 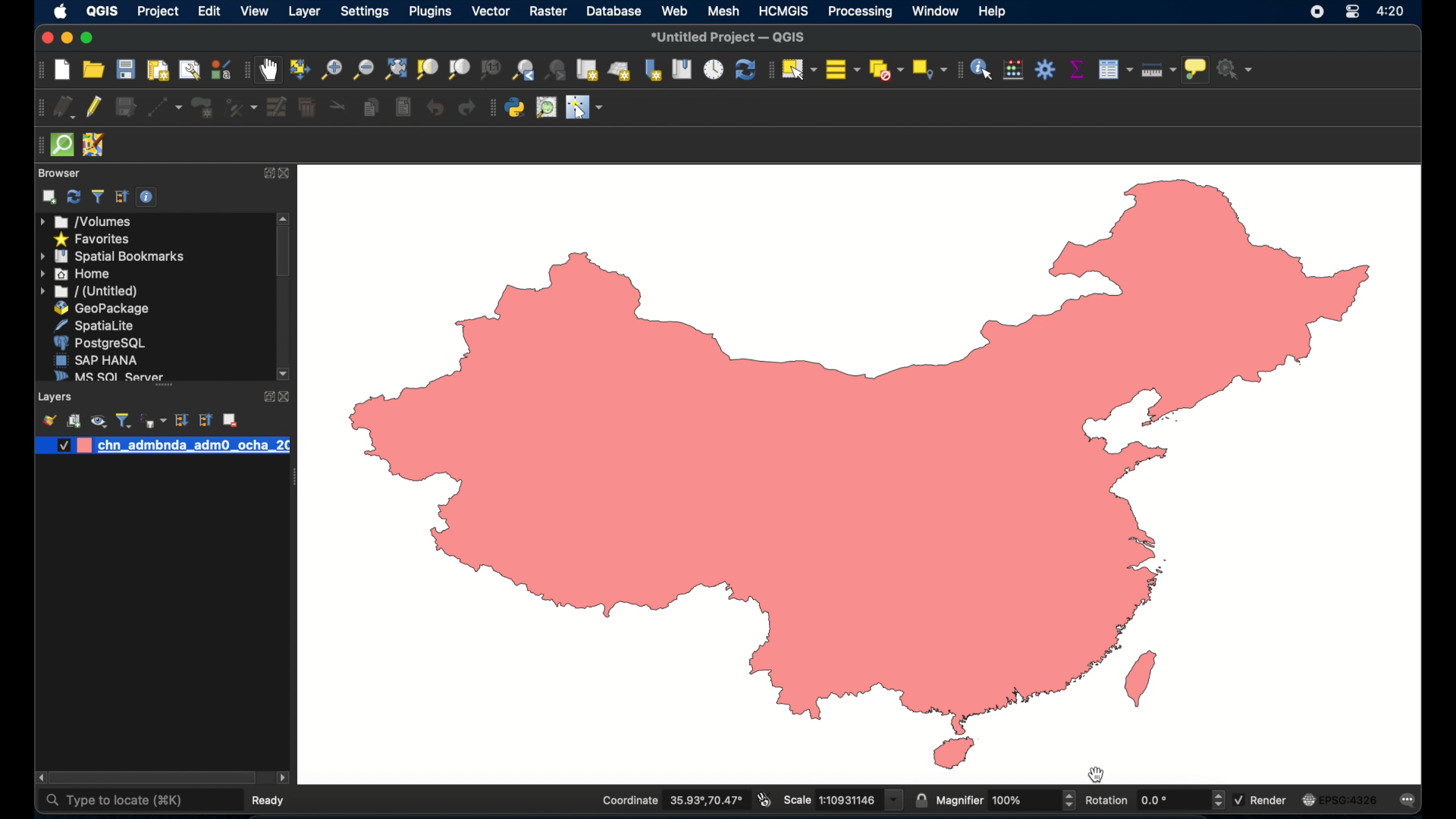 What do you see at coordinates (371, 108) in the screenshot?
I see `copy features` at bounding box center [371, 108].